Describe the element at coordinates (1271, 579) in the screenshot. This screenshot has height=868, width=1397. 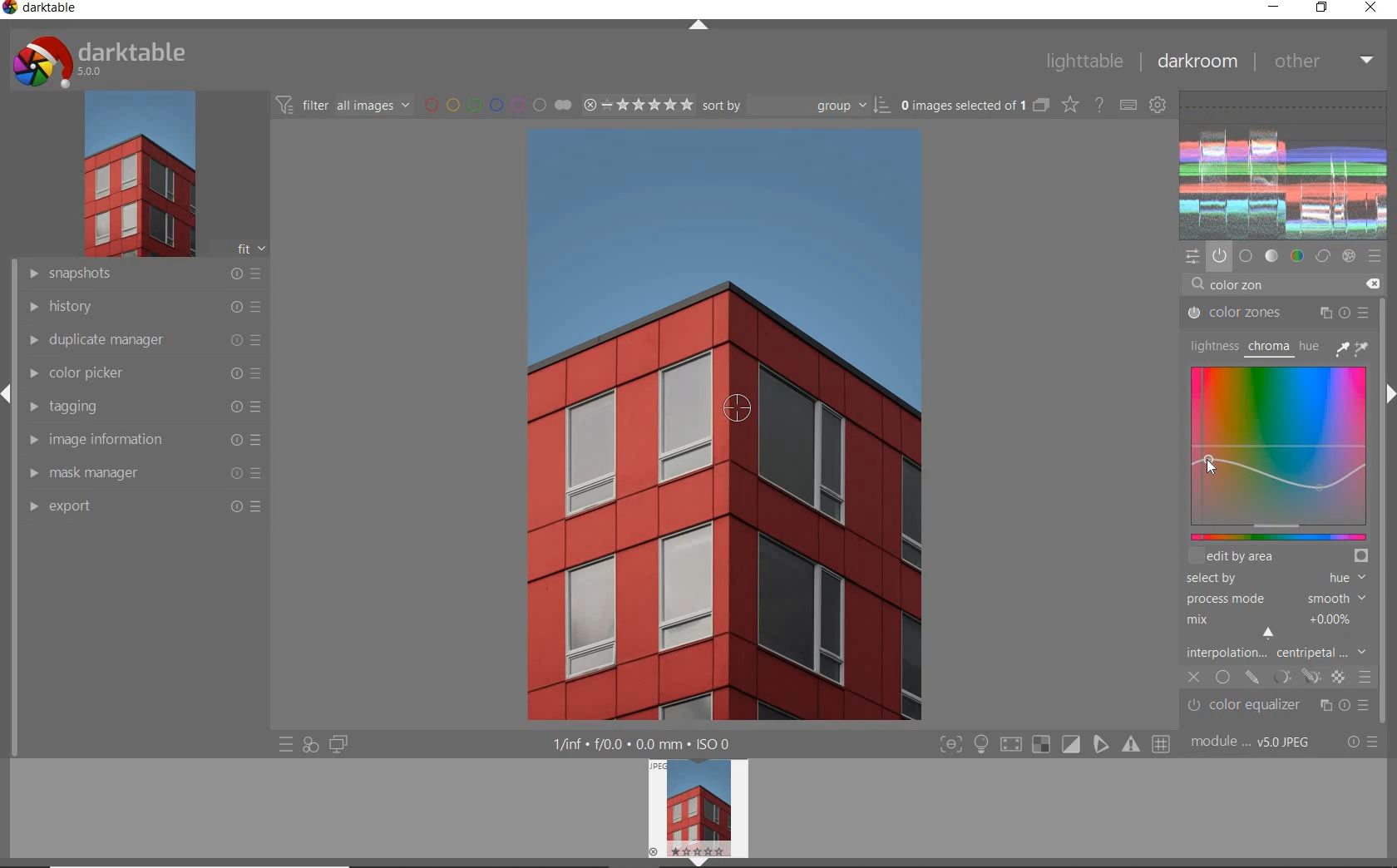
I see `SELECTED BY` at that location.